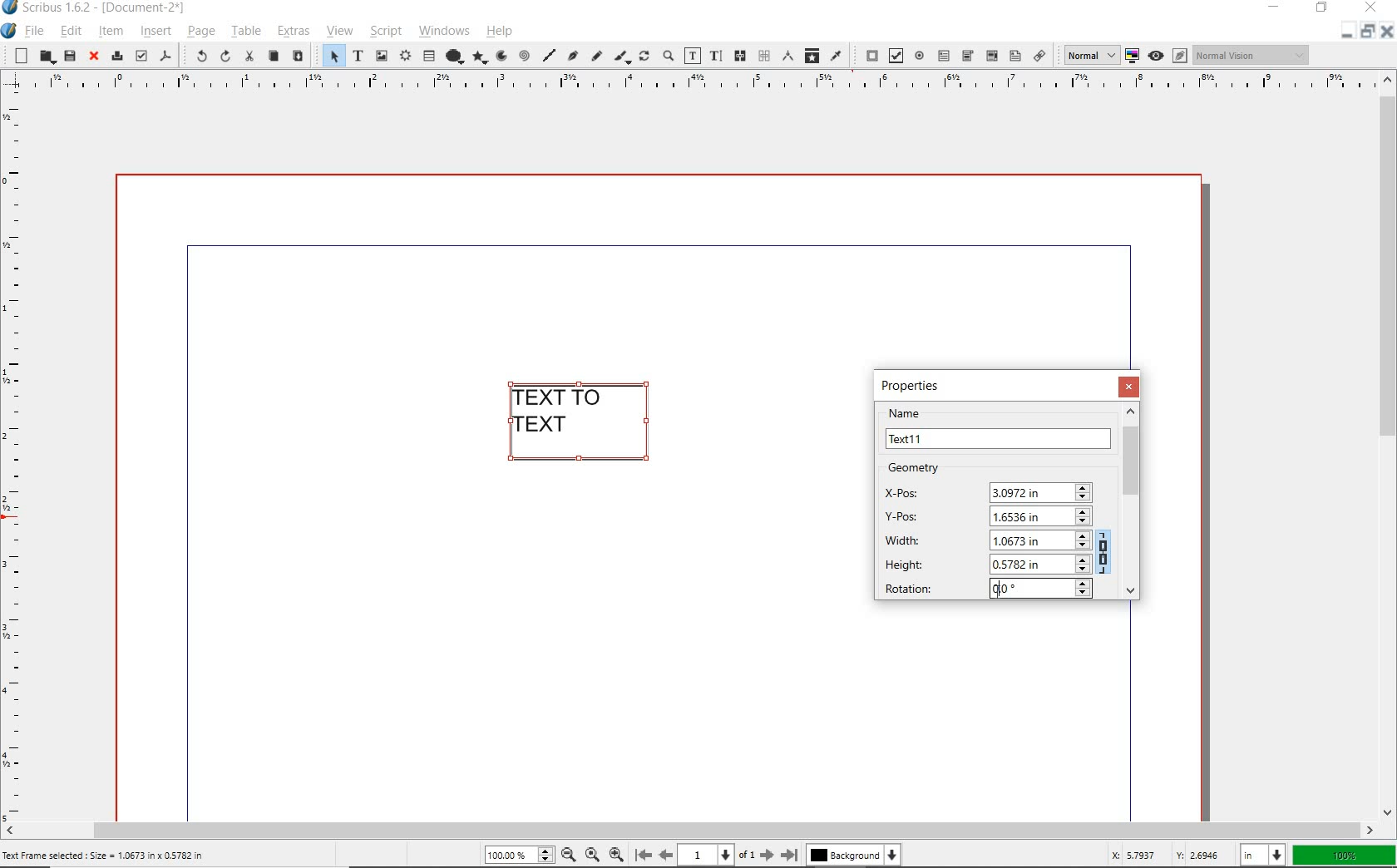 The height and width of the screenshot is (868, 1397). What do you see at coordinates (248, 57) in the screenshot?
I see `cut` at bounding box center [248, 57].